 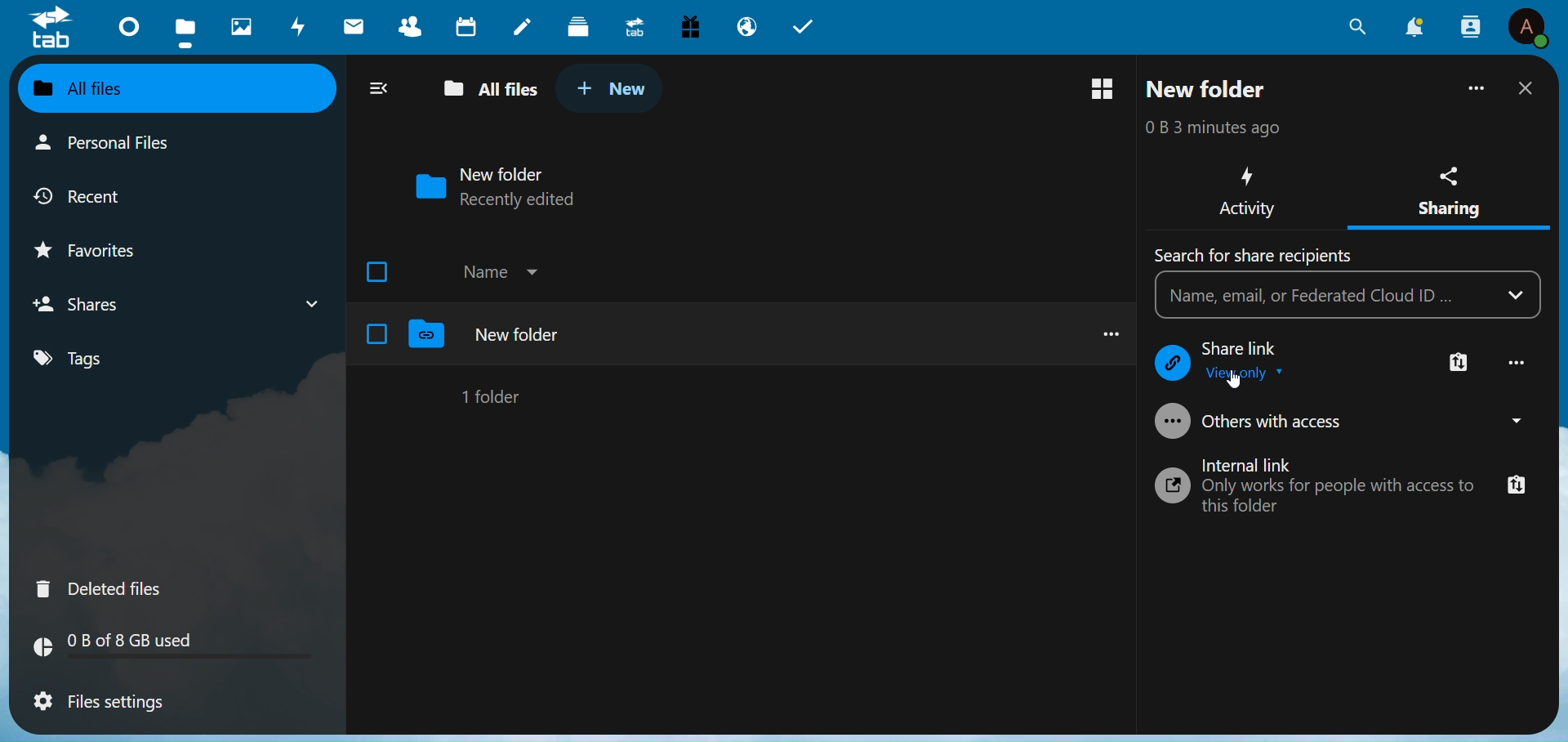 What do you see at coordinates (109, 586) in the screenshot?
I see `Deleted FIles` at bounding box center [109, 586].